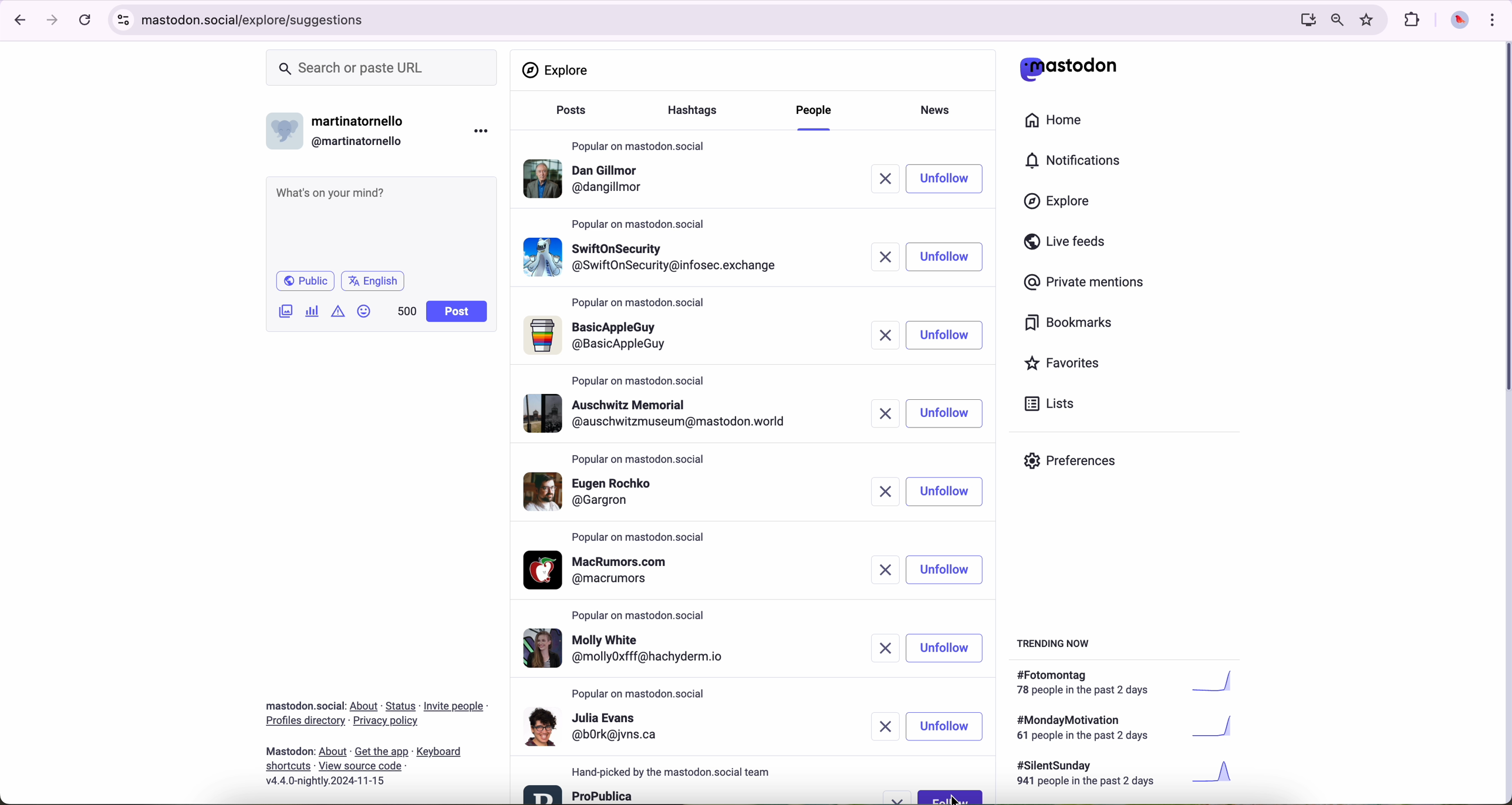  Describe the element at coordinates (382, 68) in the screenshot. I see `search or paste URL` at that location.